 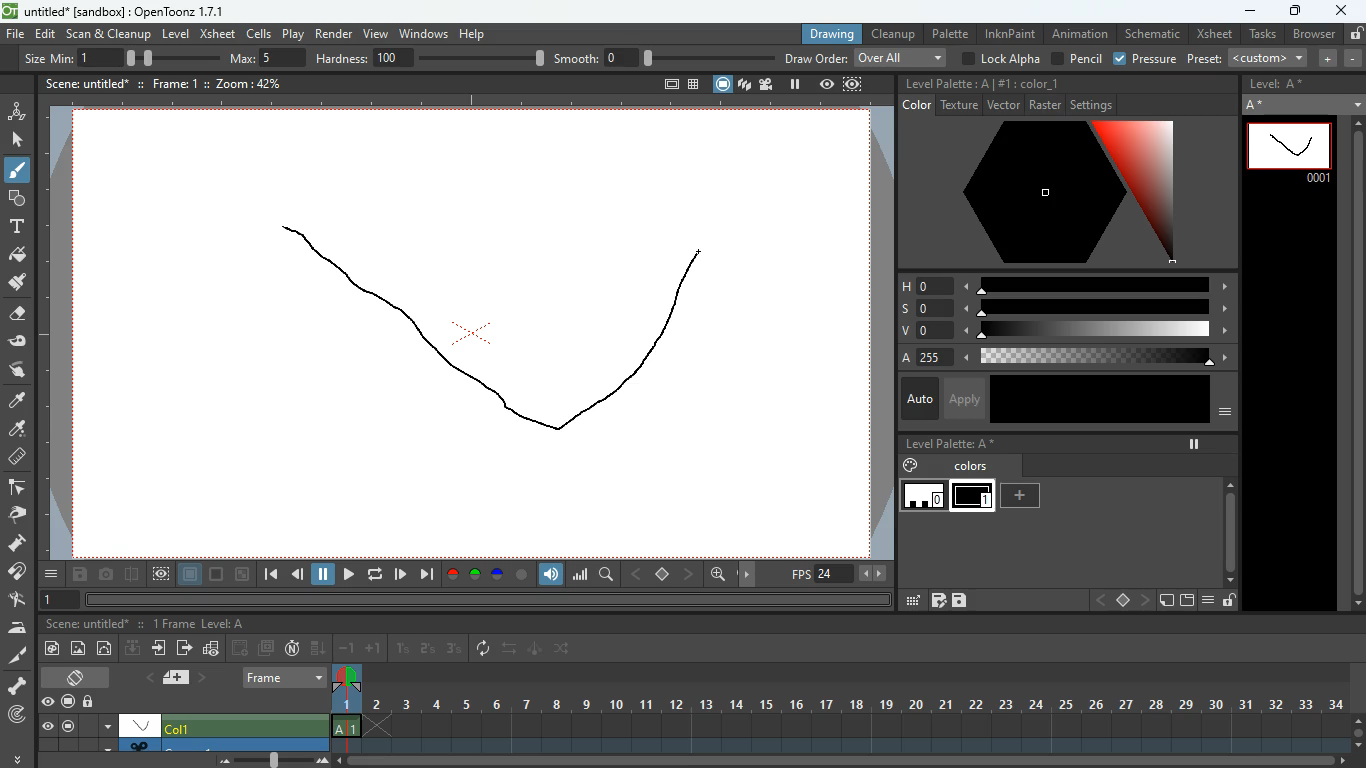 I want to click on document, so click(x=1185, y=601).